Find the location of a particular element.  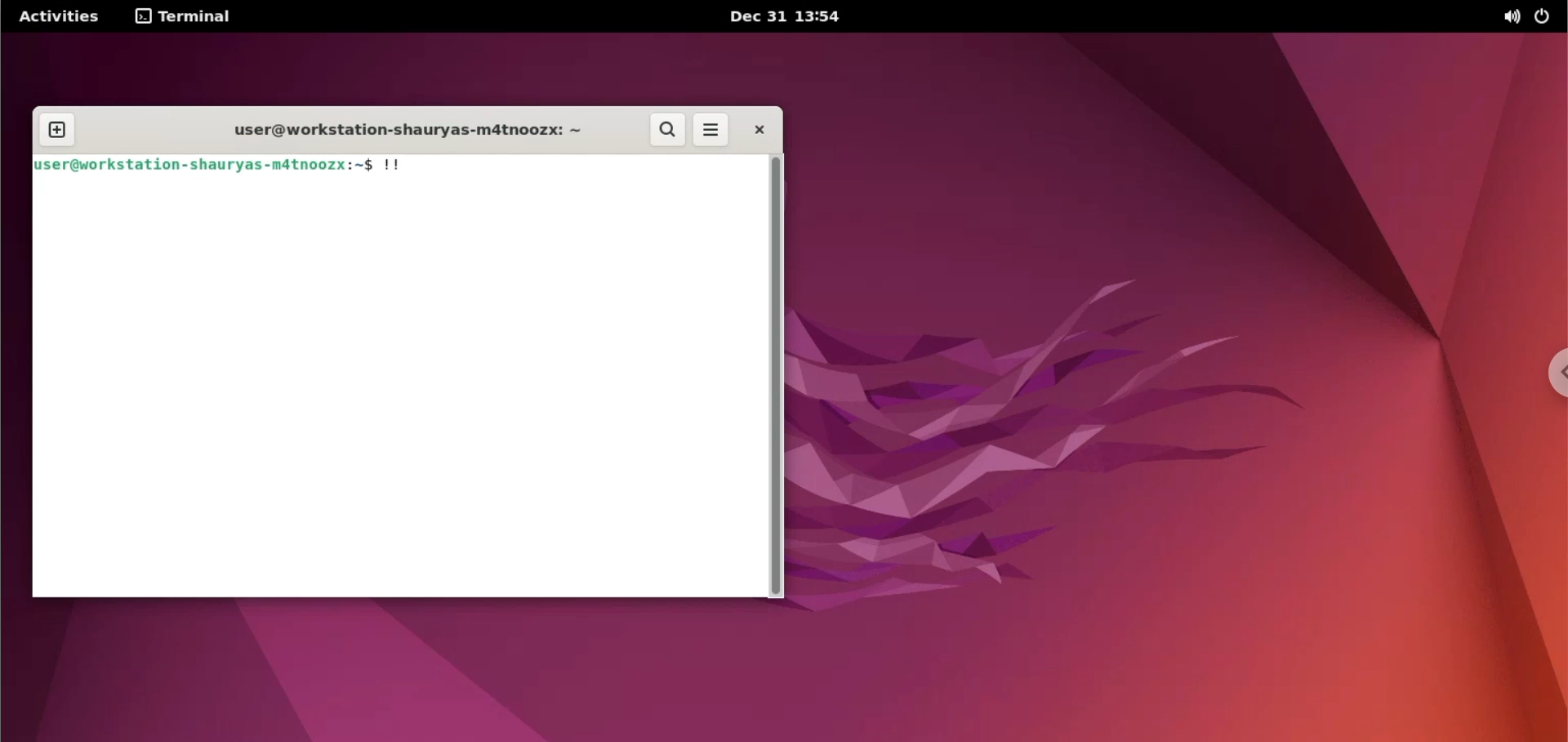

user@workstation -shauryas-m4tnoozx:~$ !! is located at coordinates (234, 168).